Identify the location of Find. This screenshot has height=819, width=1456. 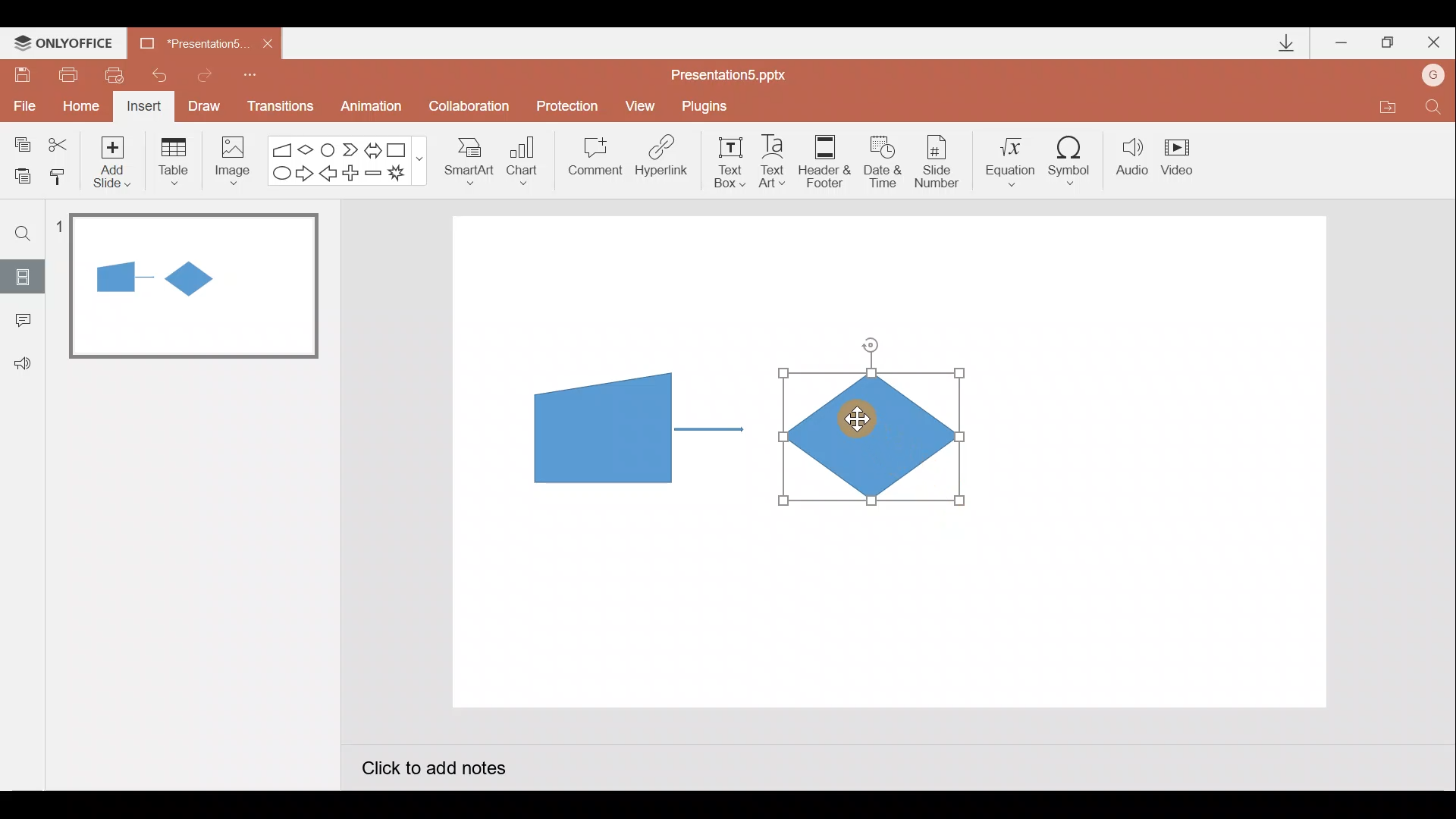
(1433, 111).